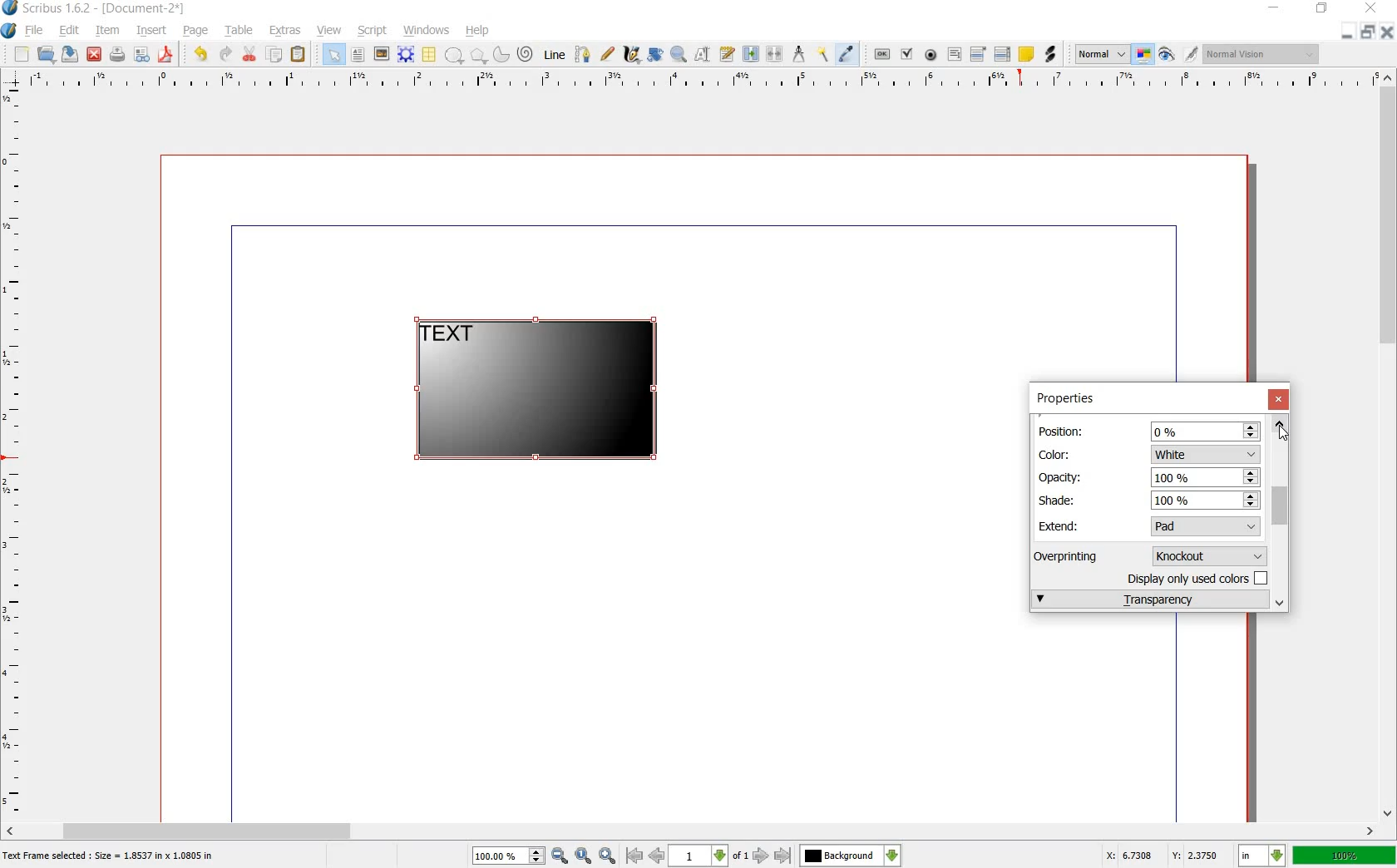 The height and width of the screenshot is (868, 1397). Describe the element at coordinates (1049, 55) in the screenshot. I see `link annotation` at that location.